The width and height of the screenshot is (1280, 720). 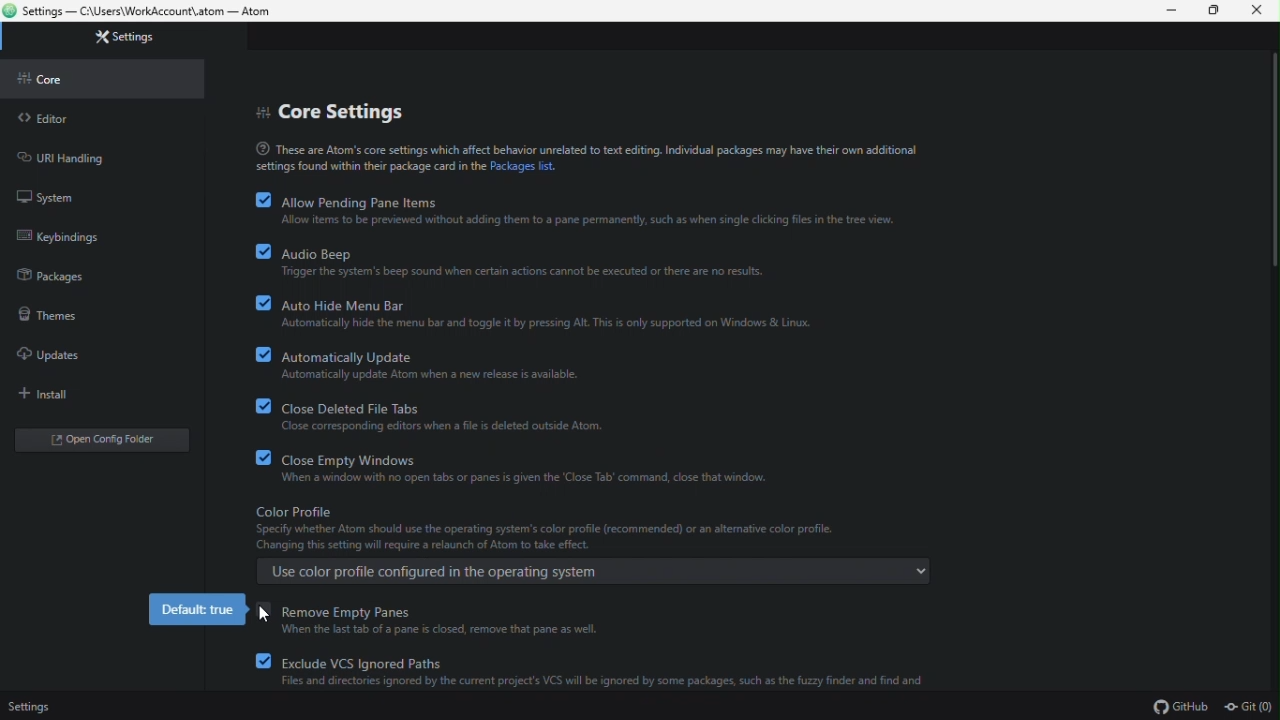 What do you see at coordinates (1216, 13) in the screenshot?
I see `restore` at bounding box center [1216, 13].